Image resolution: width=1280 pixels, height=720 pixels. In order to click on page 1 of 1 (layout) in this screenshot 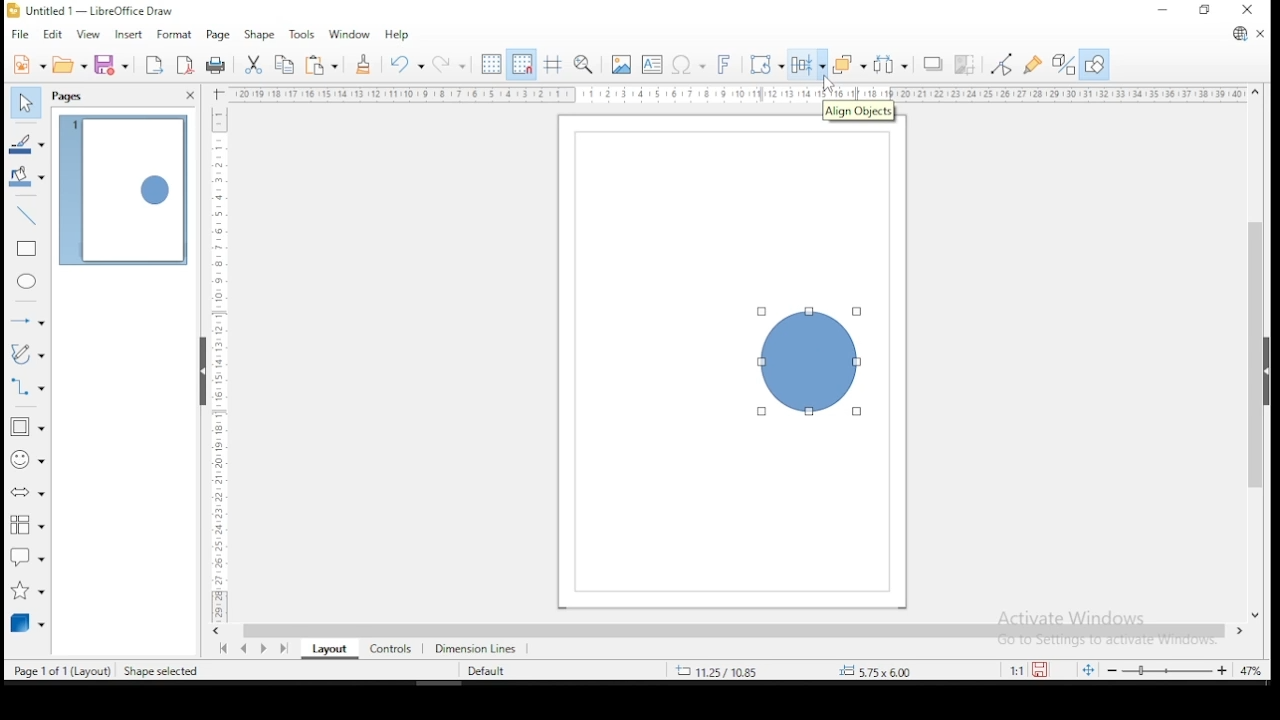, I will do `click(63, 669)`.